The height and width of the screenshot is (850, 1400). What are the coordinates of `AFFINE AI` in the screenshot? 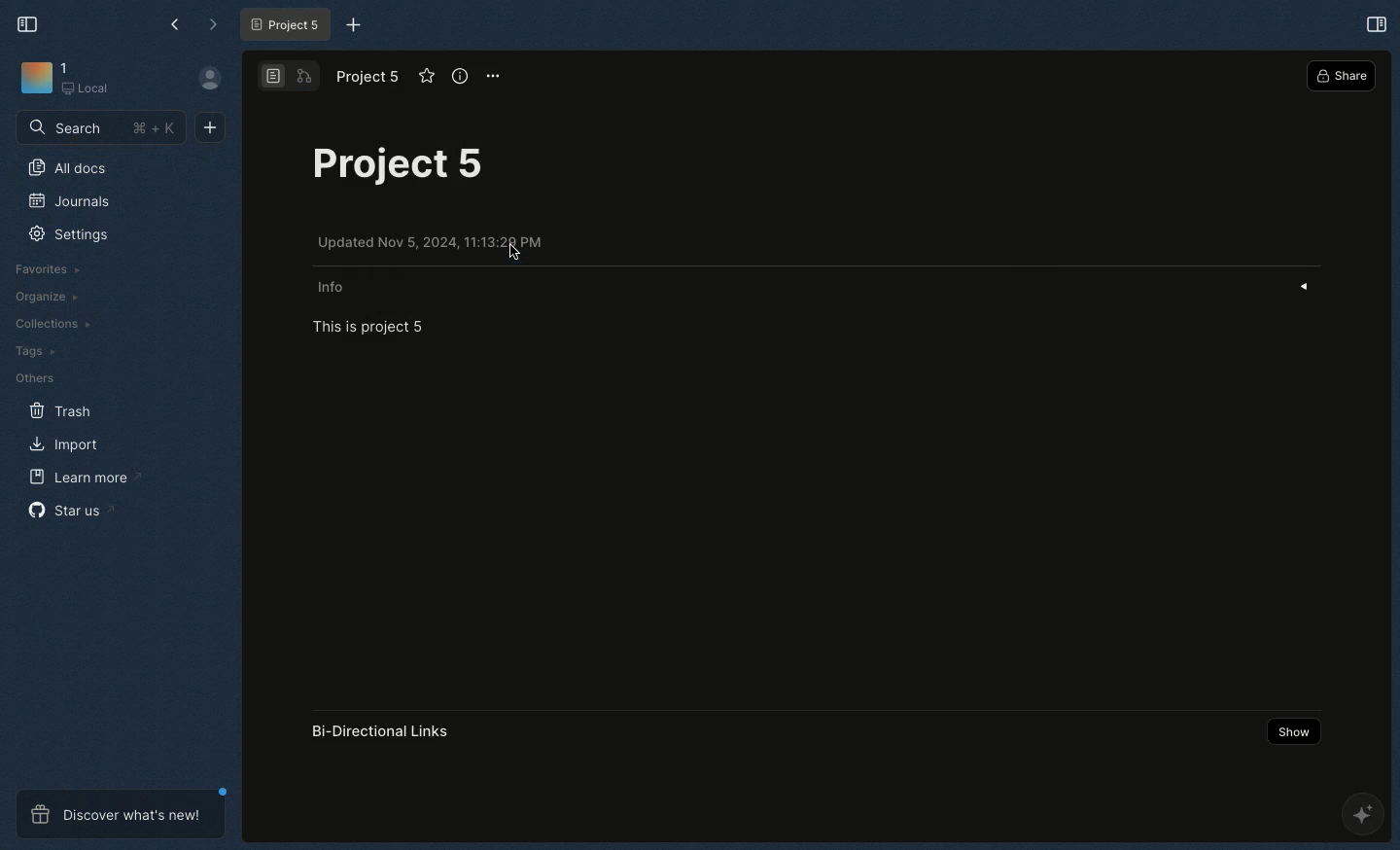 It's located at (1360, 812).